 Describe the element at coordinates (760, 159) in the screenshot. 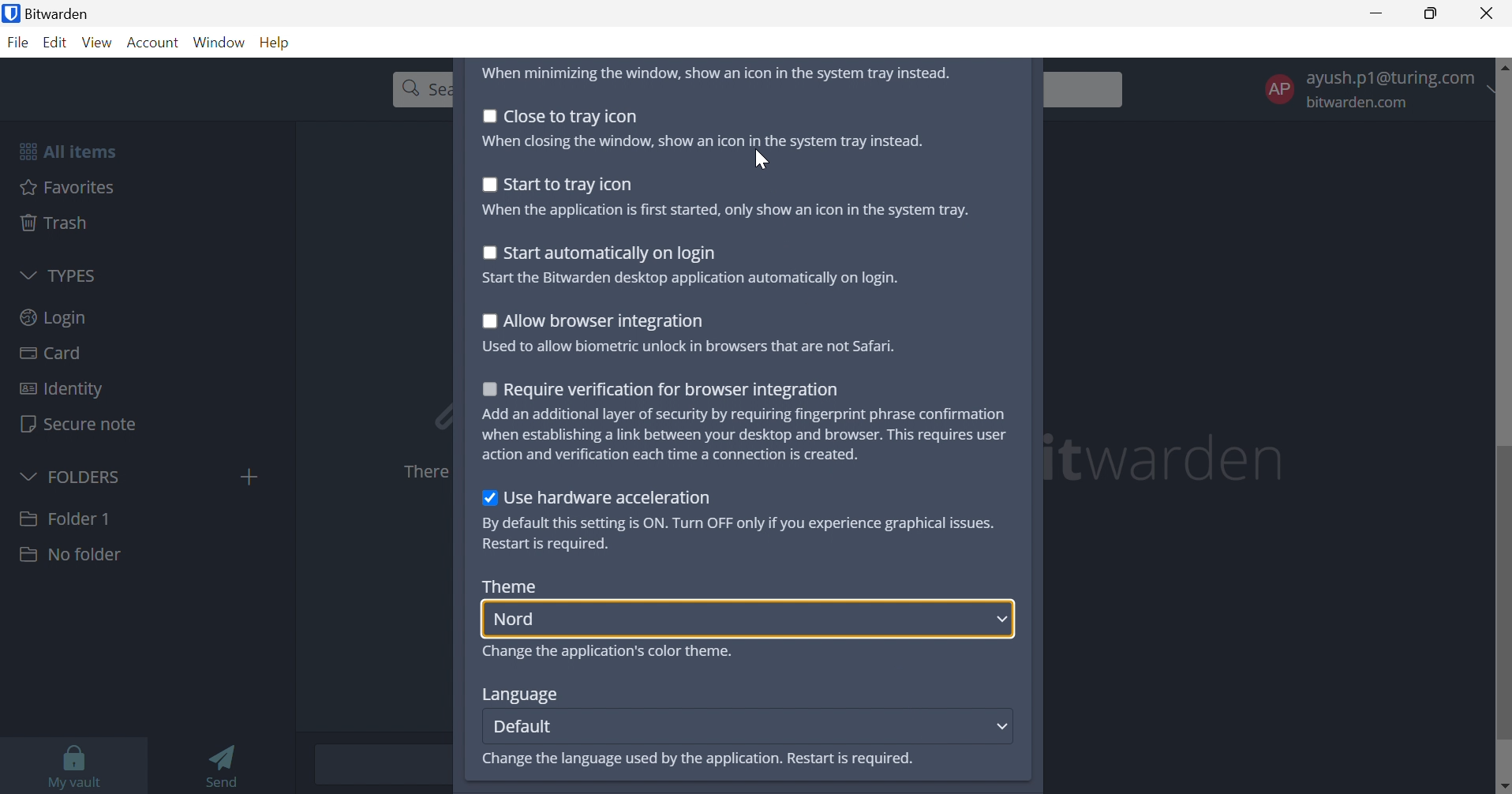

I see `Cursor` at that location.